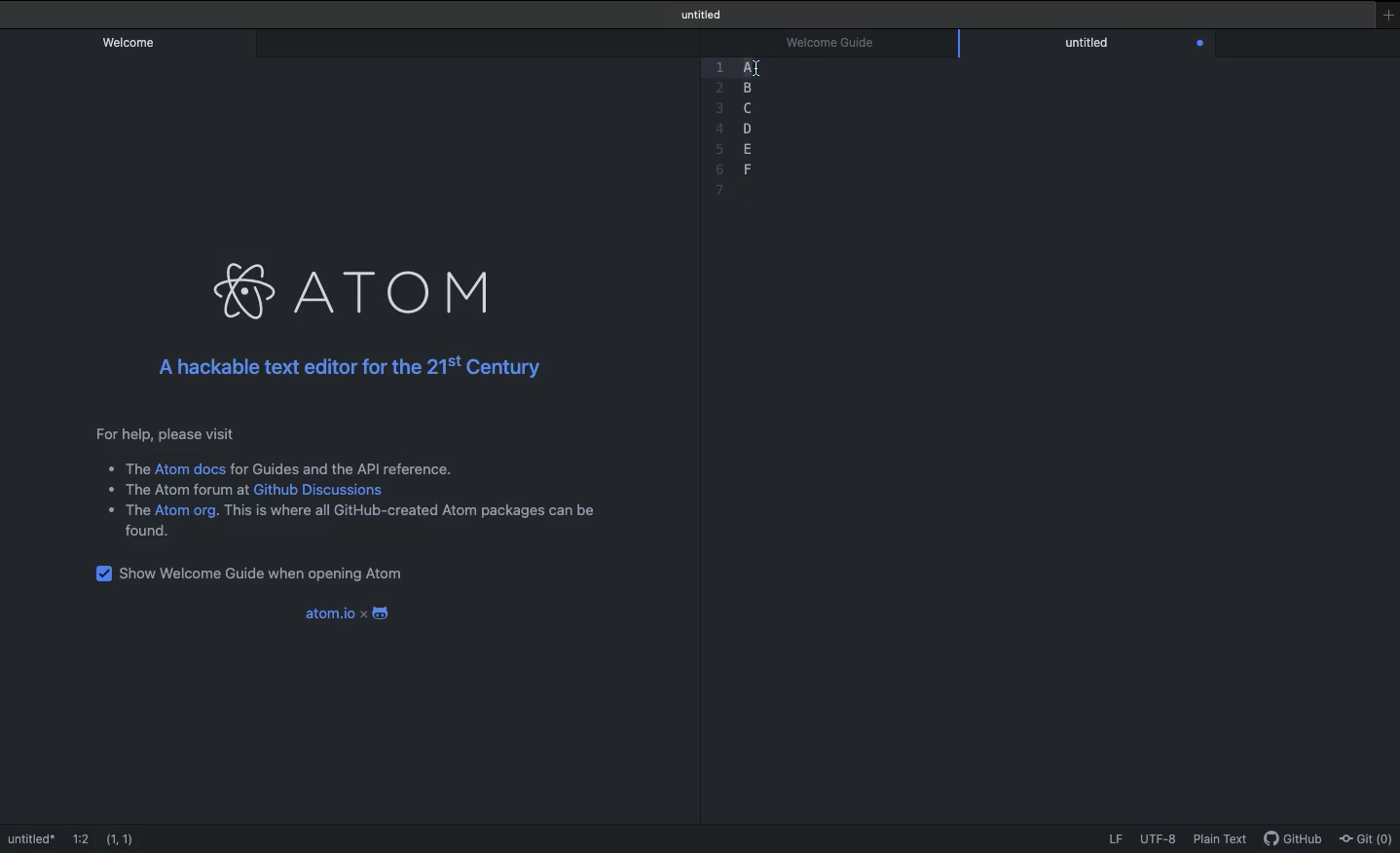 The image size is (1400, 853). What do you see at coordinates (718, 191) in the screenshot?
I see `7` at bounding box center [718, 191].